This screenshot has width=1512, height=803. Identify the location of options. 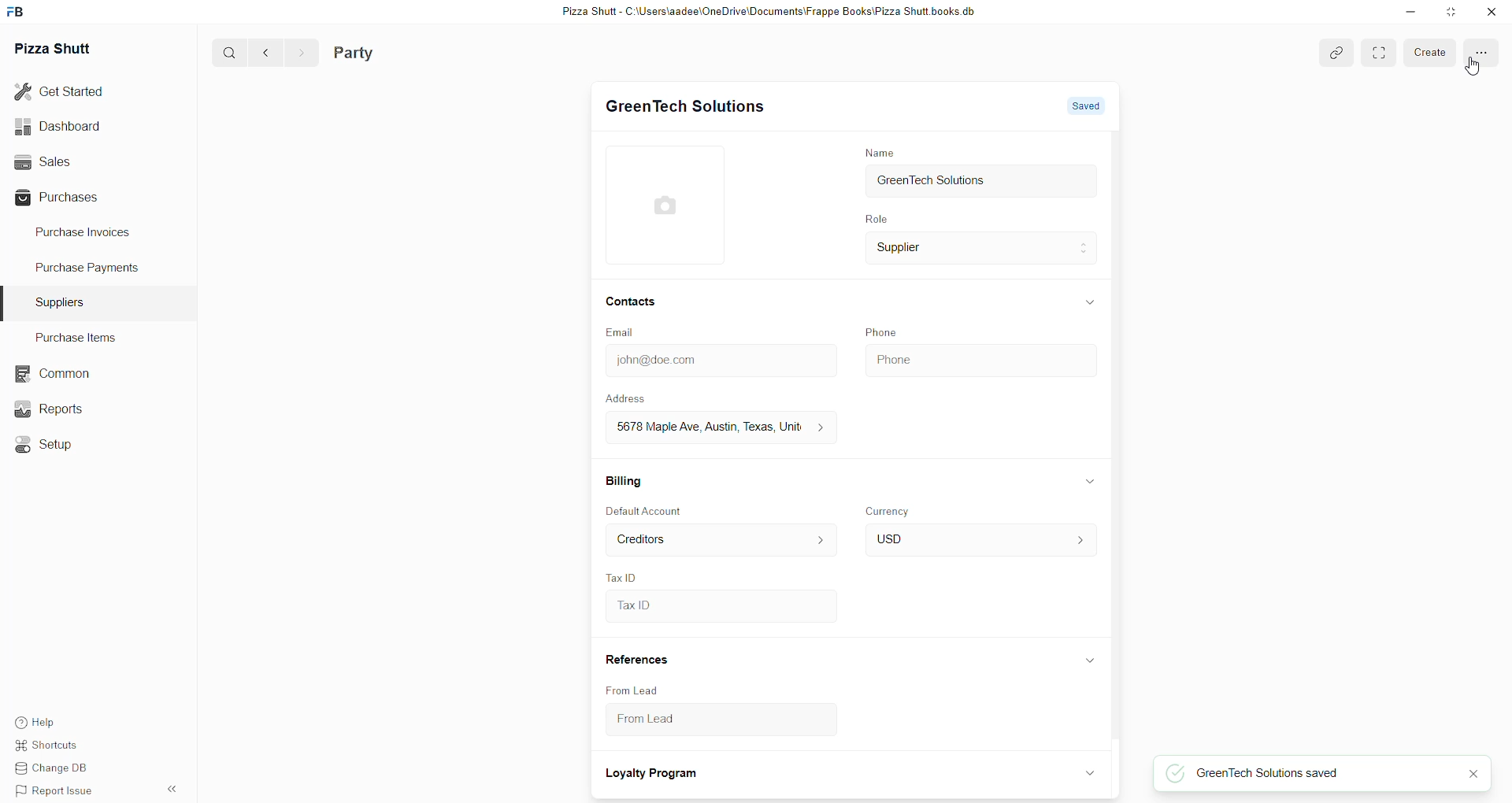
(1484, 52).